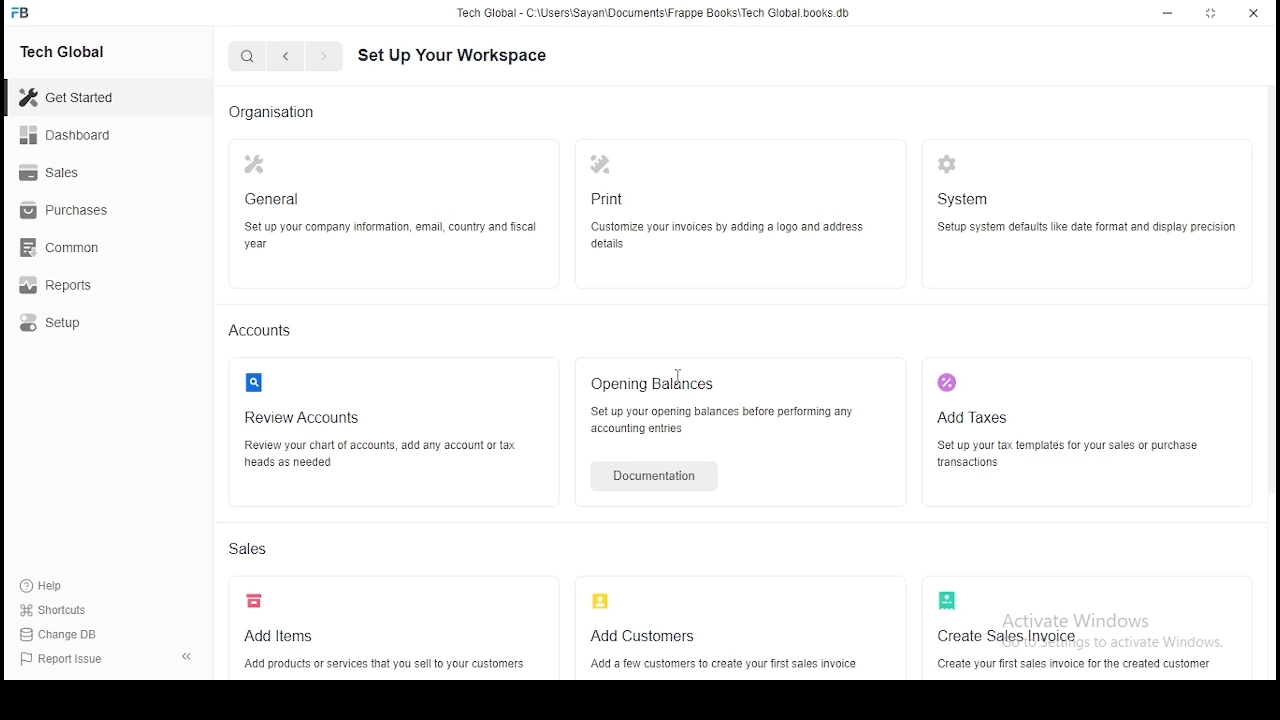 This screenshot has width=1280, height=720. Describe the element at coordinates (66, 636) in the screenshot. I see `change DB ` at that location.